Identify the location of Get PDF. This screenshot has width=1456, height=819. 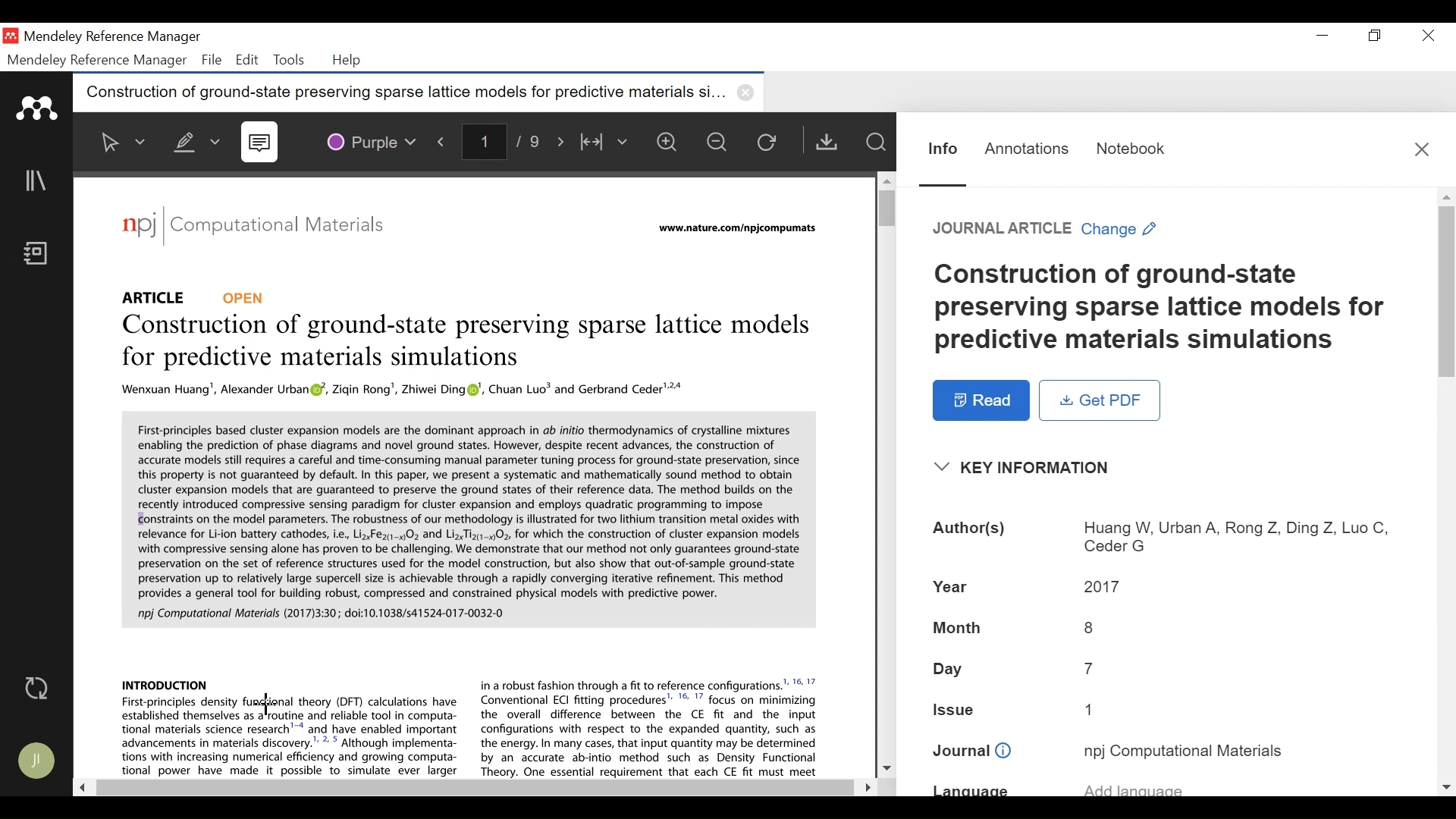
(1100, 400).